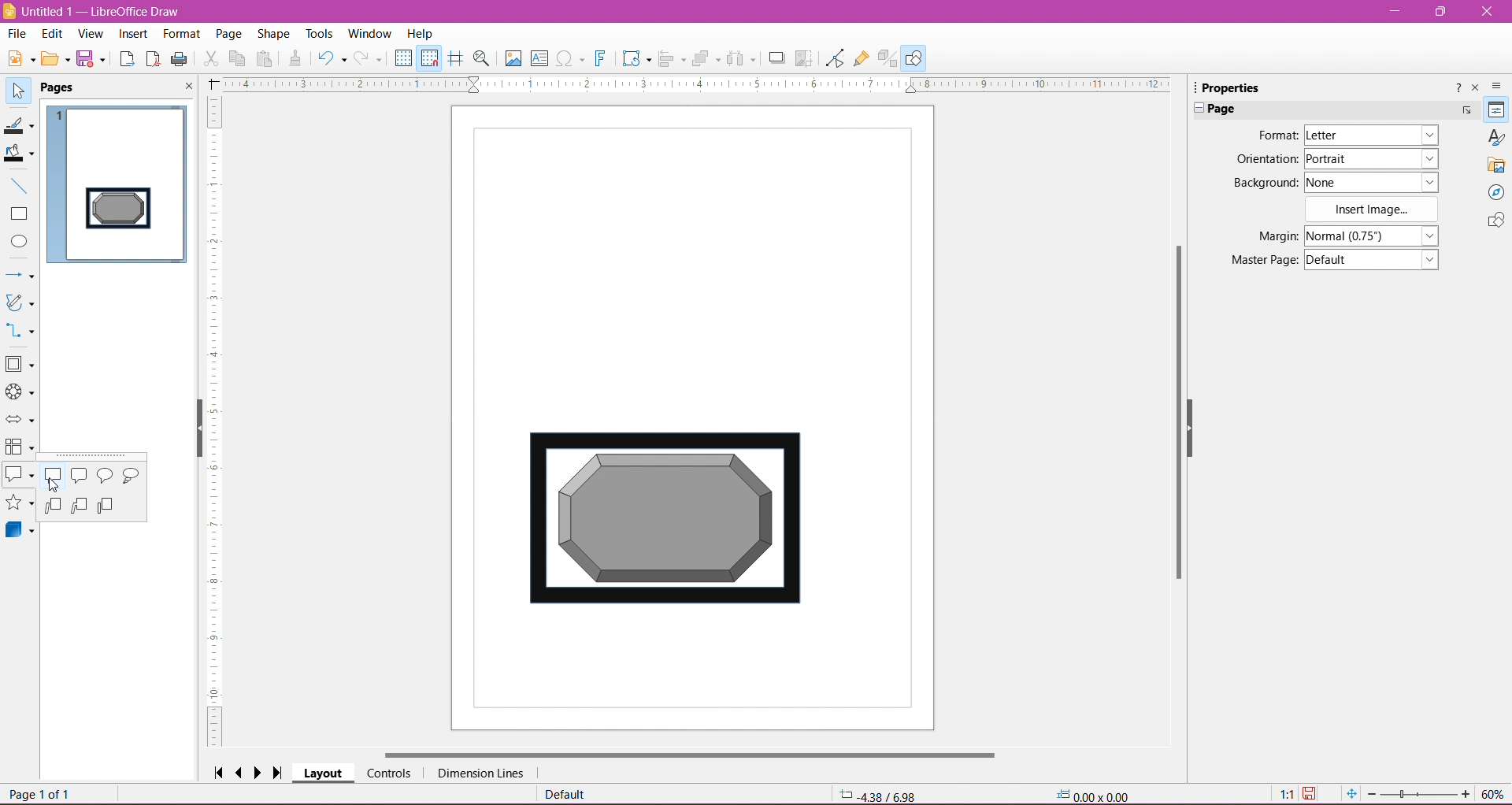 This screenshot has width=1512, height=805. I want to click on Help about this sidebar deck, so click(1456, 87).